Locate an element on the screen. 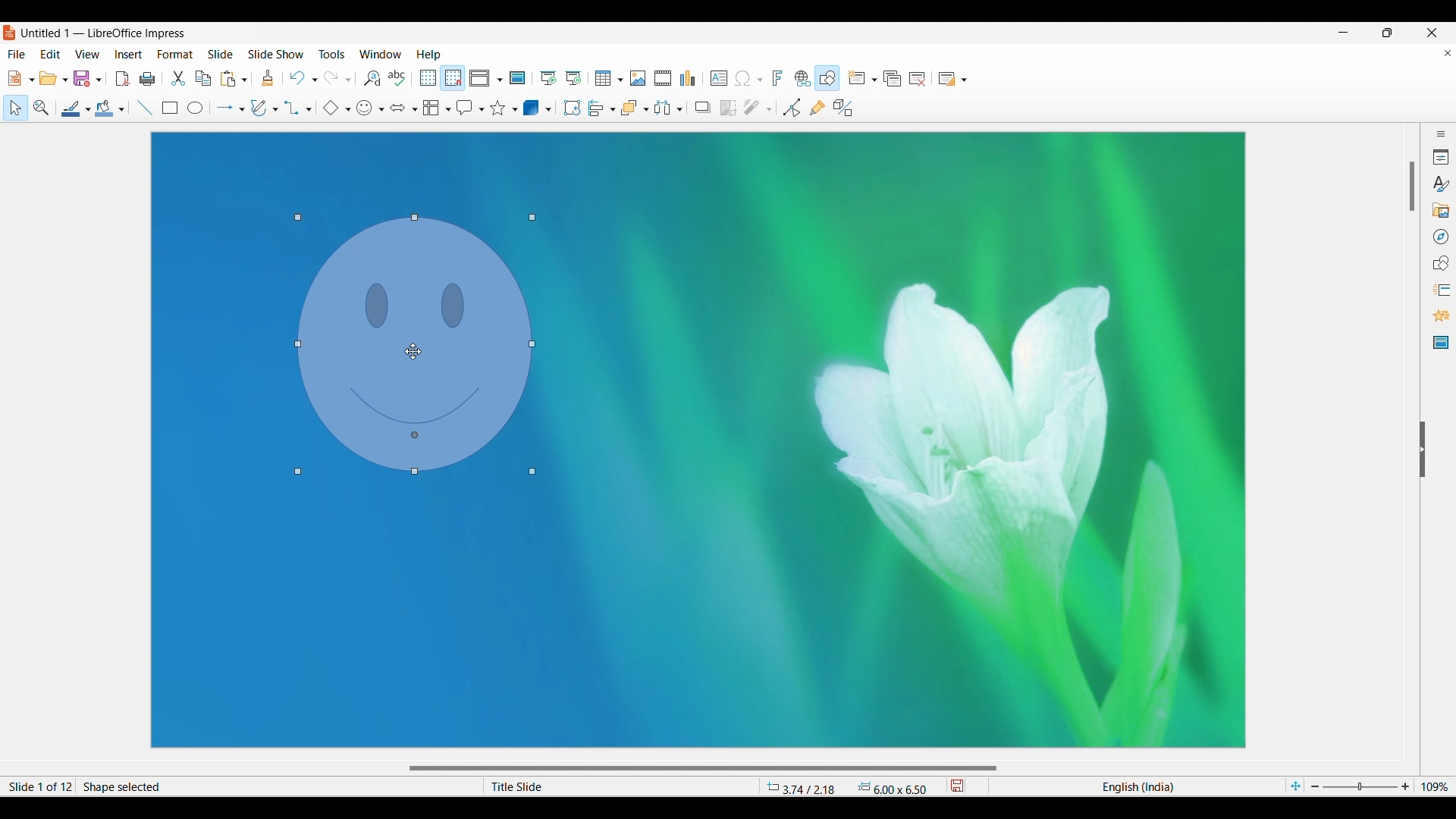 Image resolution: width=1456 pixels, height=819 pixels. 3.74 / 2.18 is located at coordinates (804, 786).